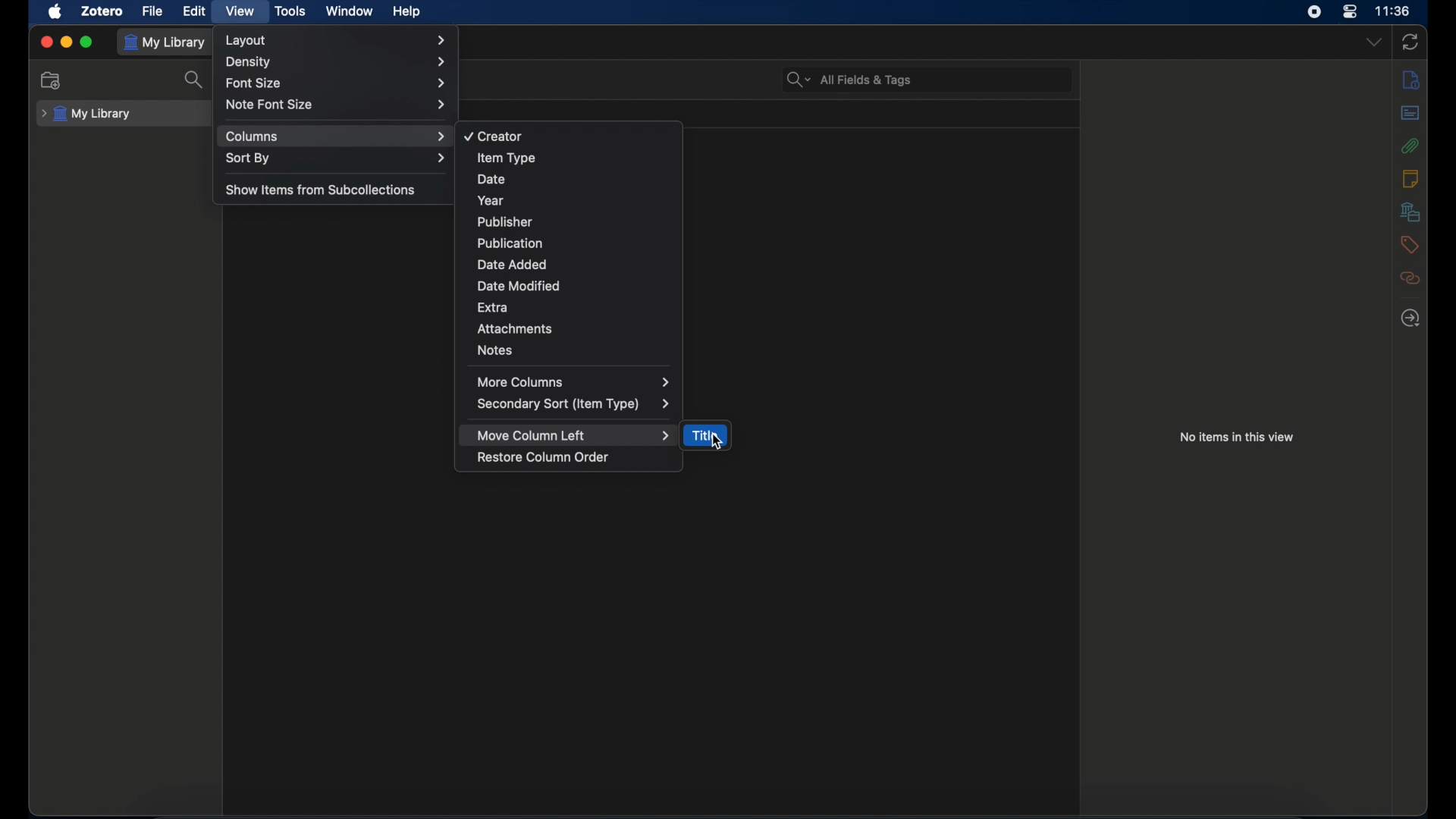 Image resolution: width=1456 pixels, height=819 pixels. I want to click on more columns, so click(574, 381).